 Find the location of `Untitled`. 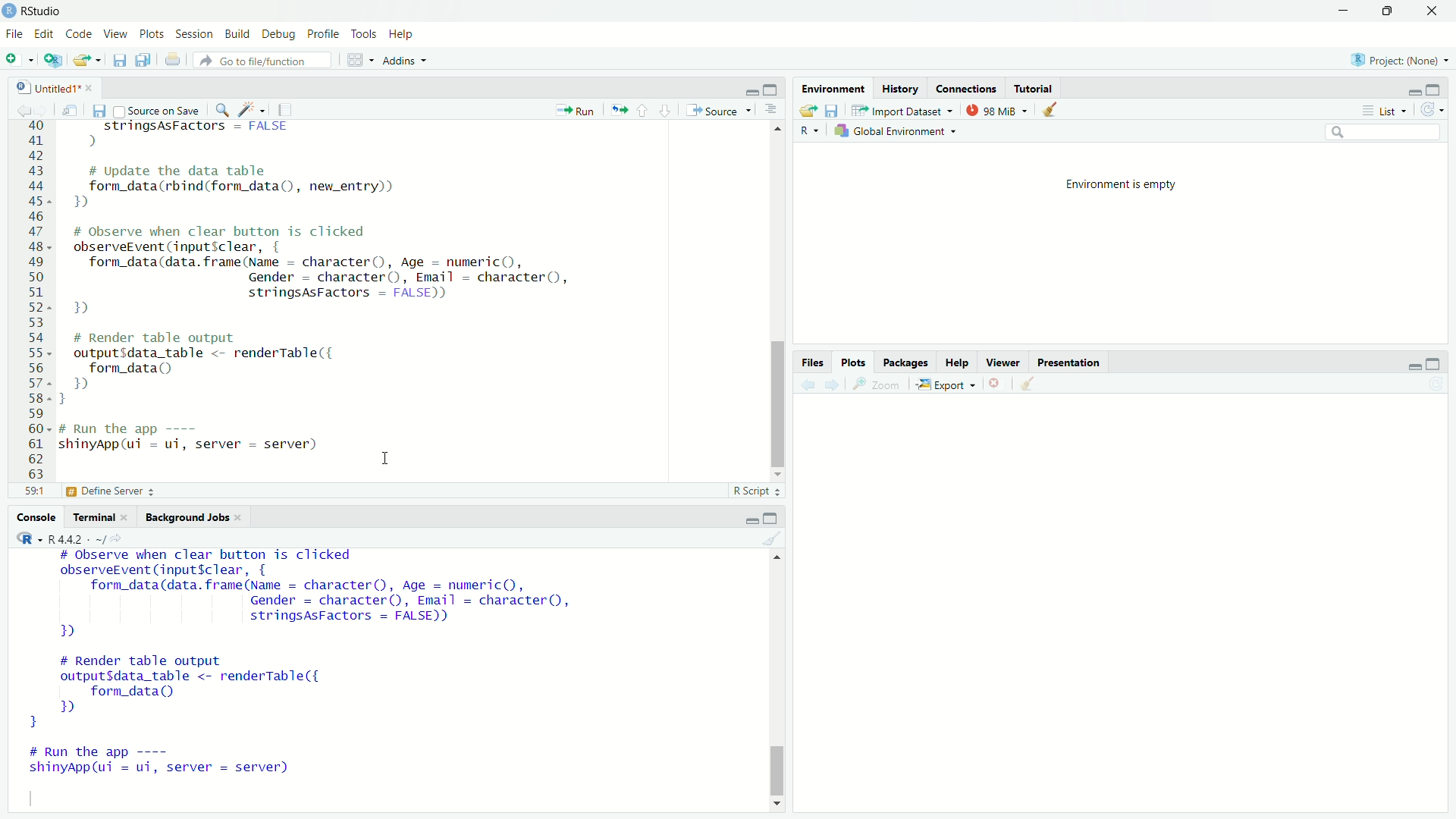

Untitled is located at coordinates (40, 85).